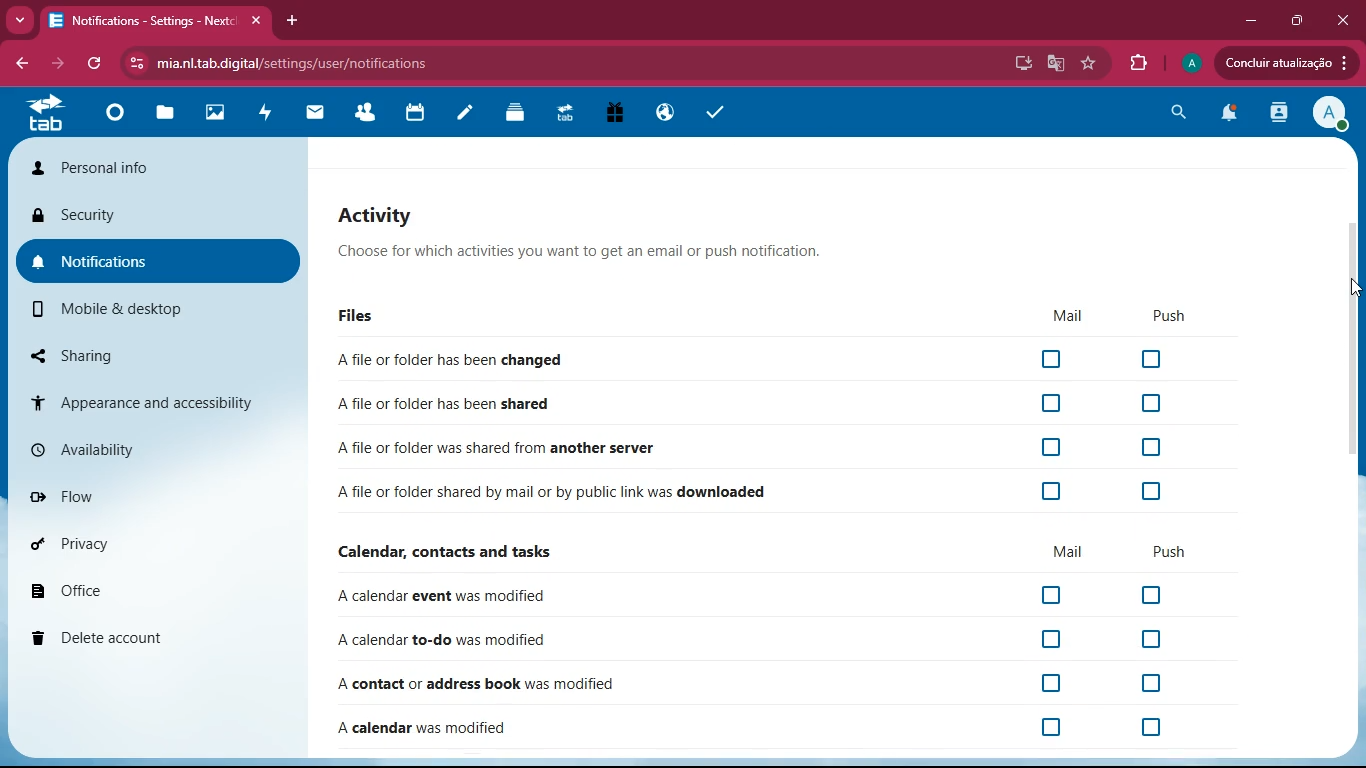  Describe the element at coordinates (168, 116) in the screenshot. I see `files` at that location.